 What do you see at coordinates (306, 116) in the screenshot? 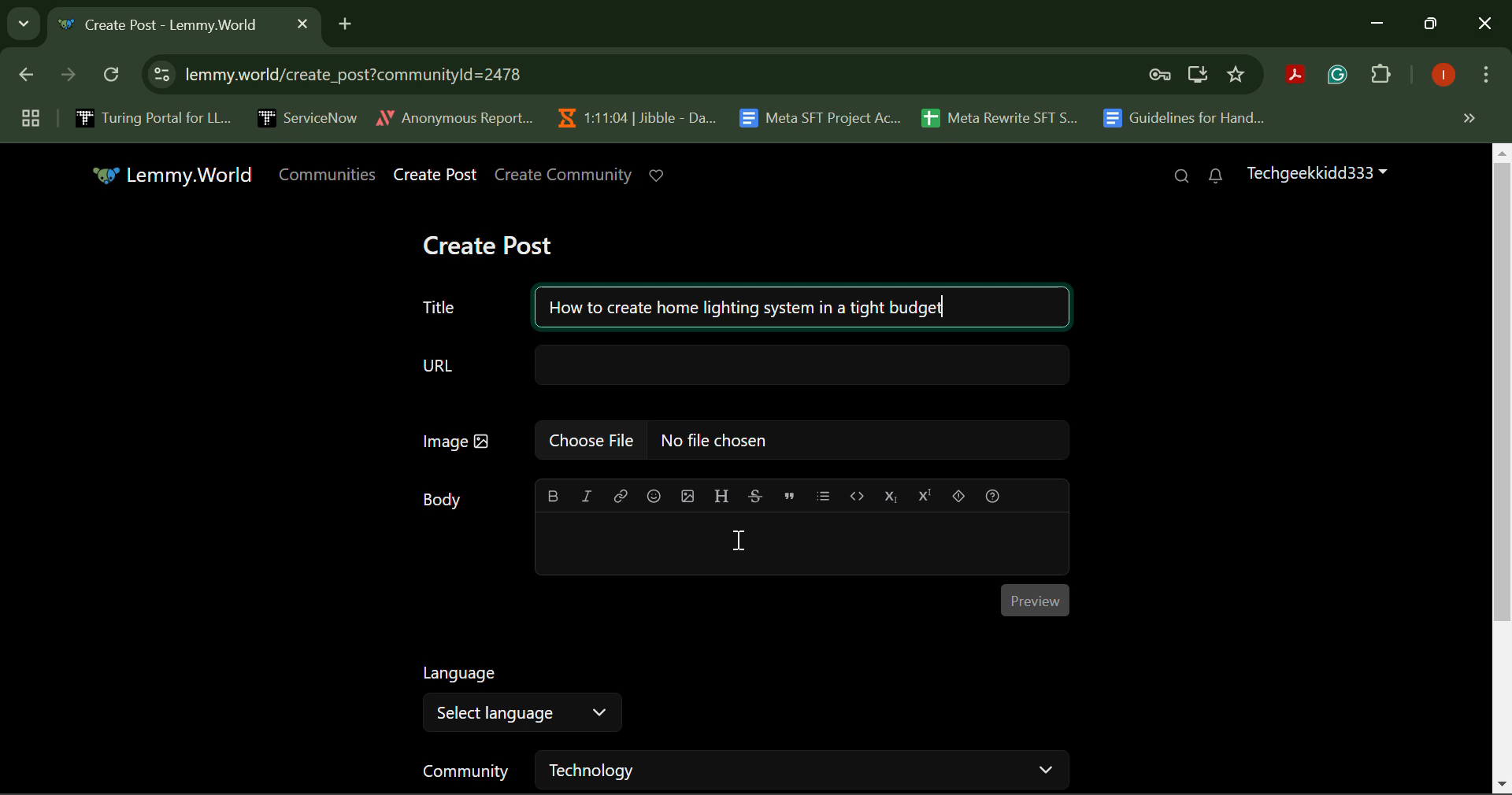
I see `ServiceNow` at bounding box center [306, 116].